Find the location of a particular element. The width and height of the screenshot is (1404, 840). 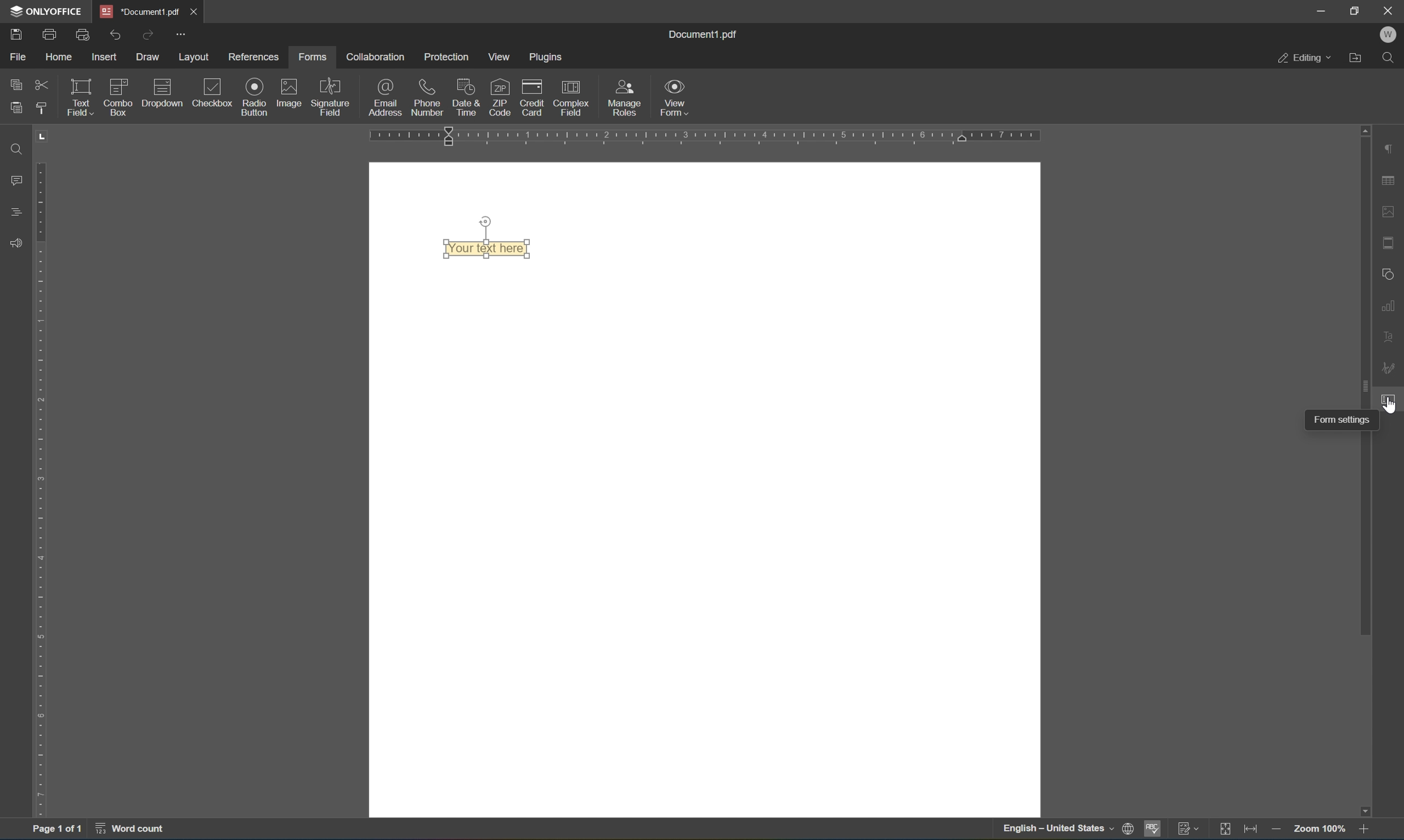

page 1 of 1 is located at coordinates (53, 829).